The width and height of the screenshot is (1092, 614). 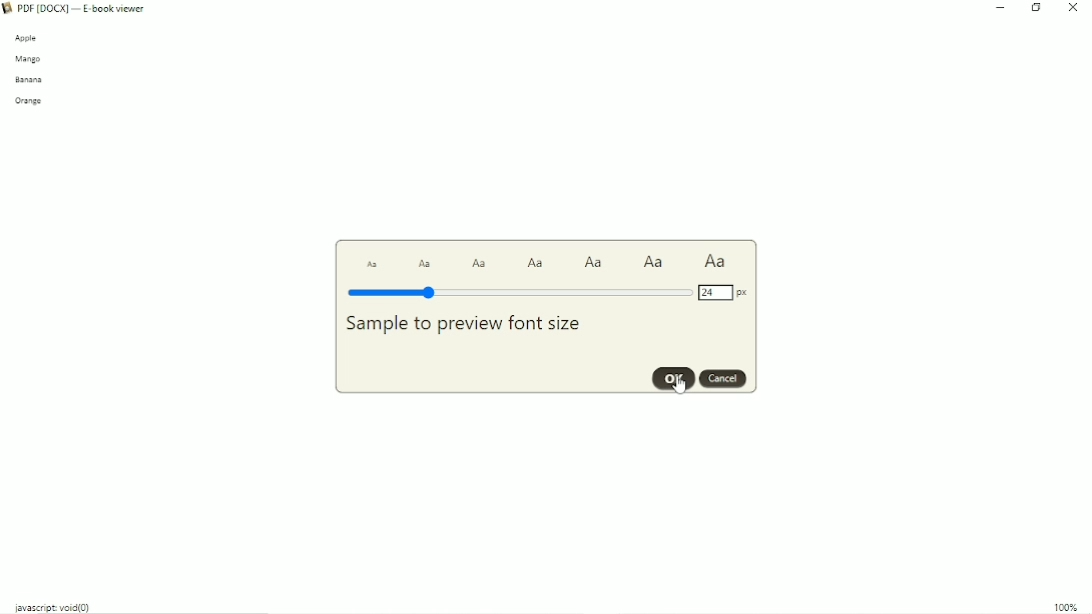 What do you see at coordinates (29, 60) in the screenshot?
I see `mango` at bounding box center [29, 60].